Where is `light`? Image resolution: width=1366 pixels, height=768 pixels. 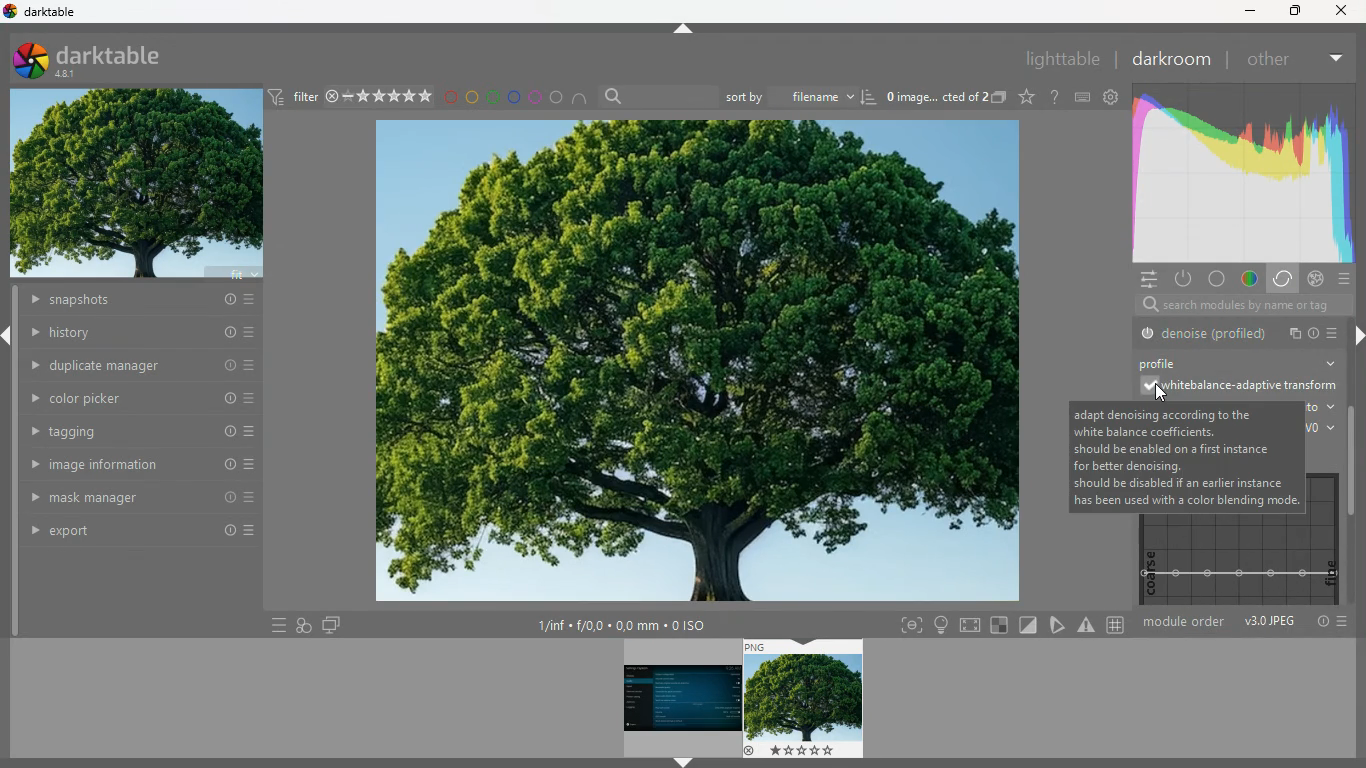 light is located at coordinates (941, 625).